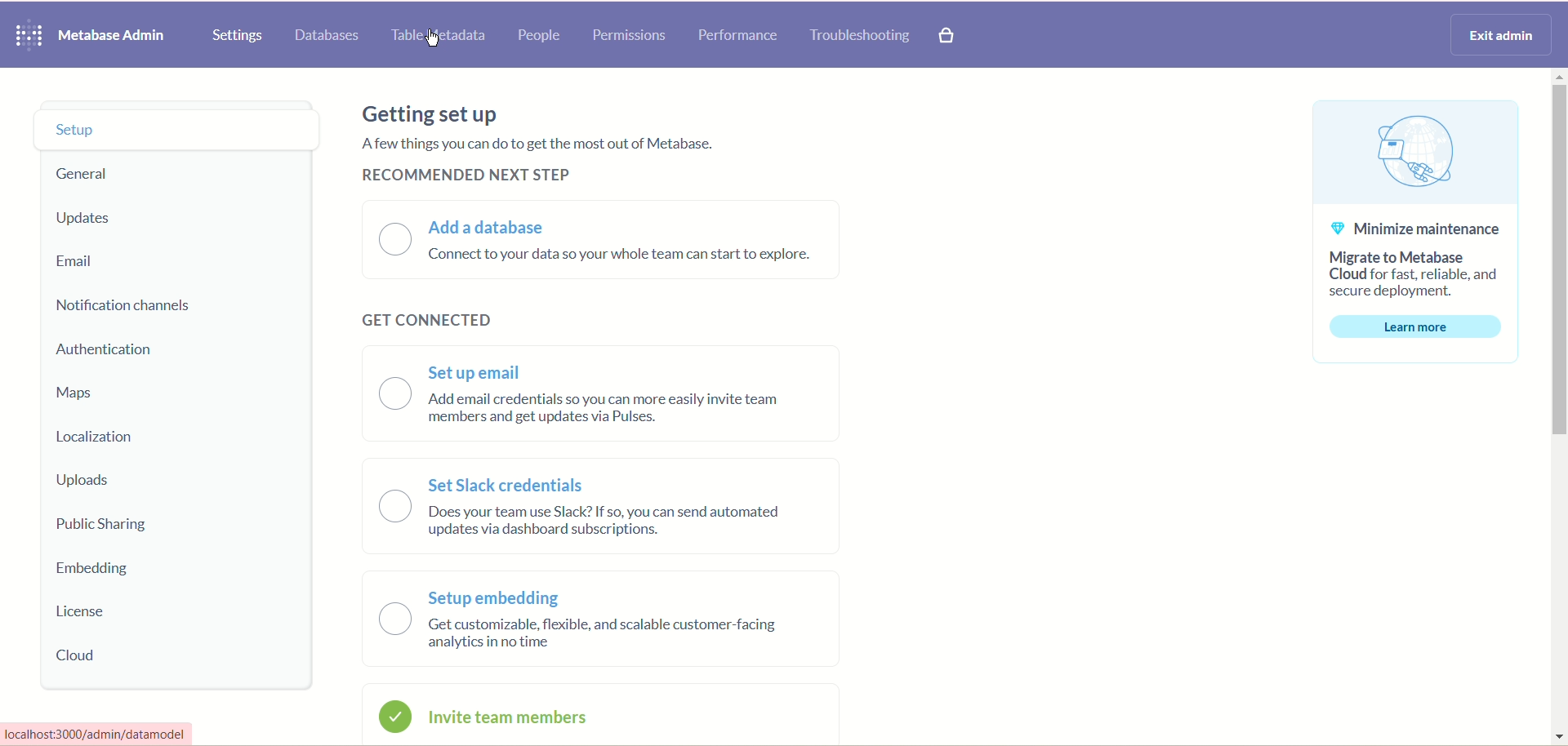 The width and height of the screenshot is (1568, 746). I want to click on . SetSlack credentials
Does your team use Slack? If so, you can send automated
updates via dashboard subscriptions., so click(624, 510).